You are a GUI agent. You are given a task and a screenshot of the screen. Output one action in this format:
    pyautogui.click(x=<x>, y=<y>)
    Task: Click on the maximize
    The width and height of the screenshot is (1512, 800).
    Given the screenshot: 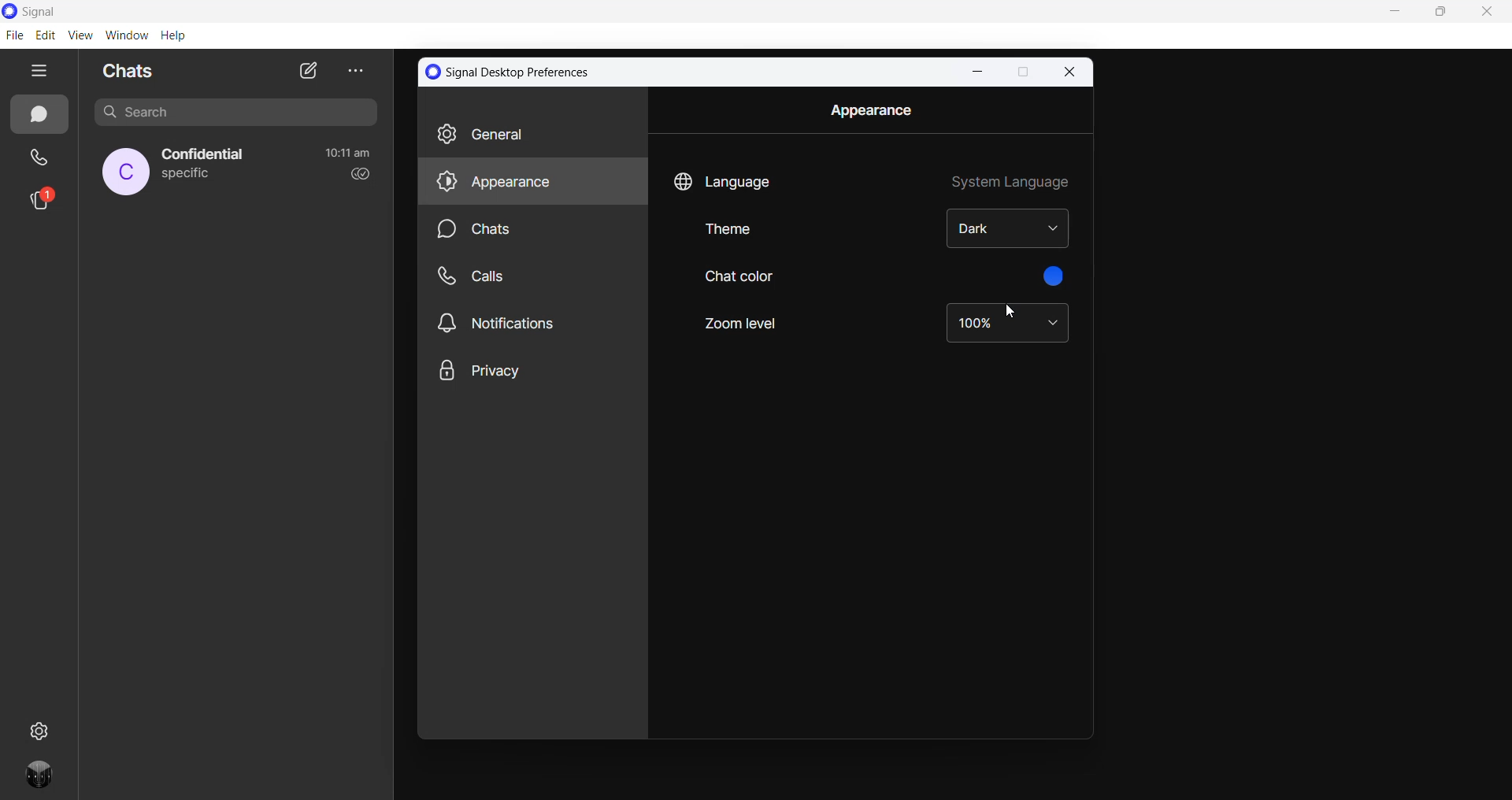 What is the action you would take?
    pyautogui.click(x=1445, y=13)
    